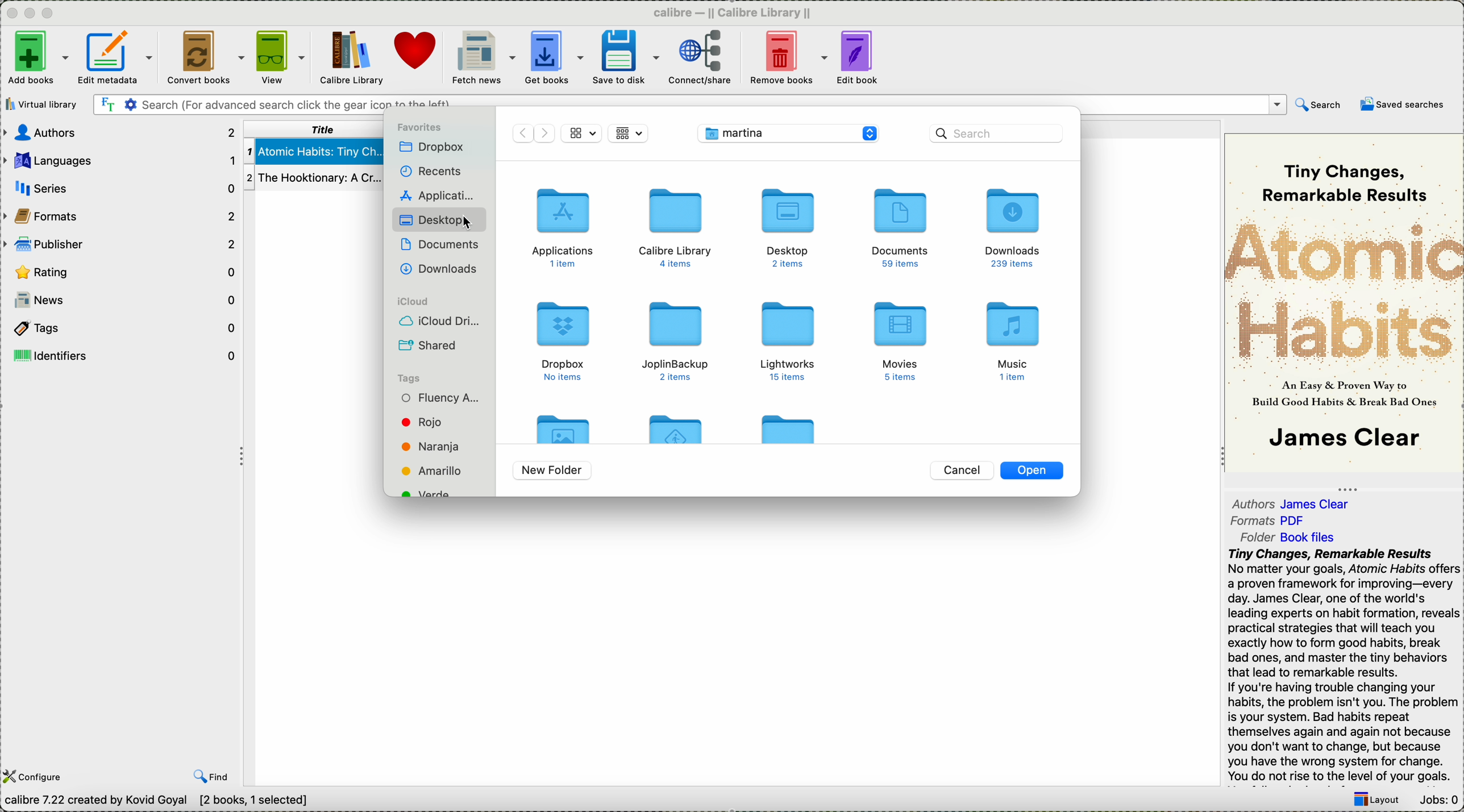  I want to click on edit metadata, so click(118, 56).